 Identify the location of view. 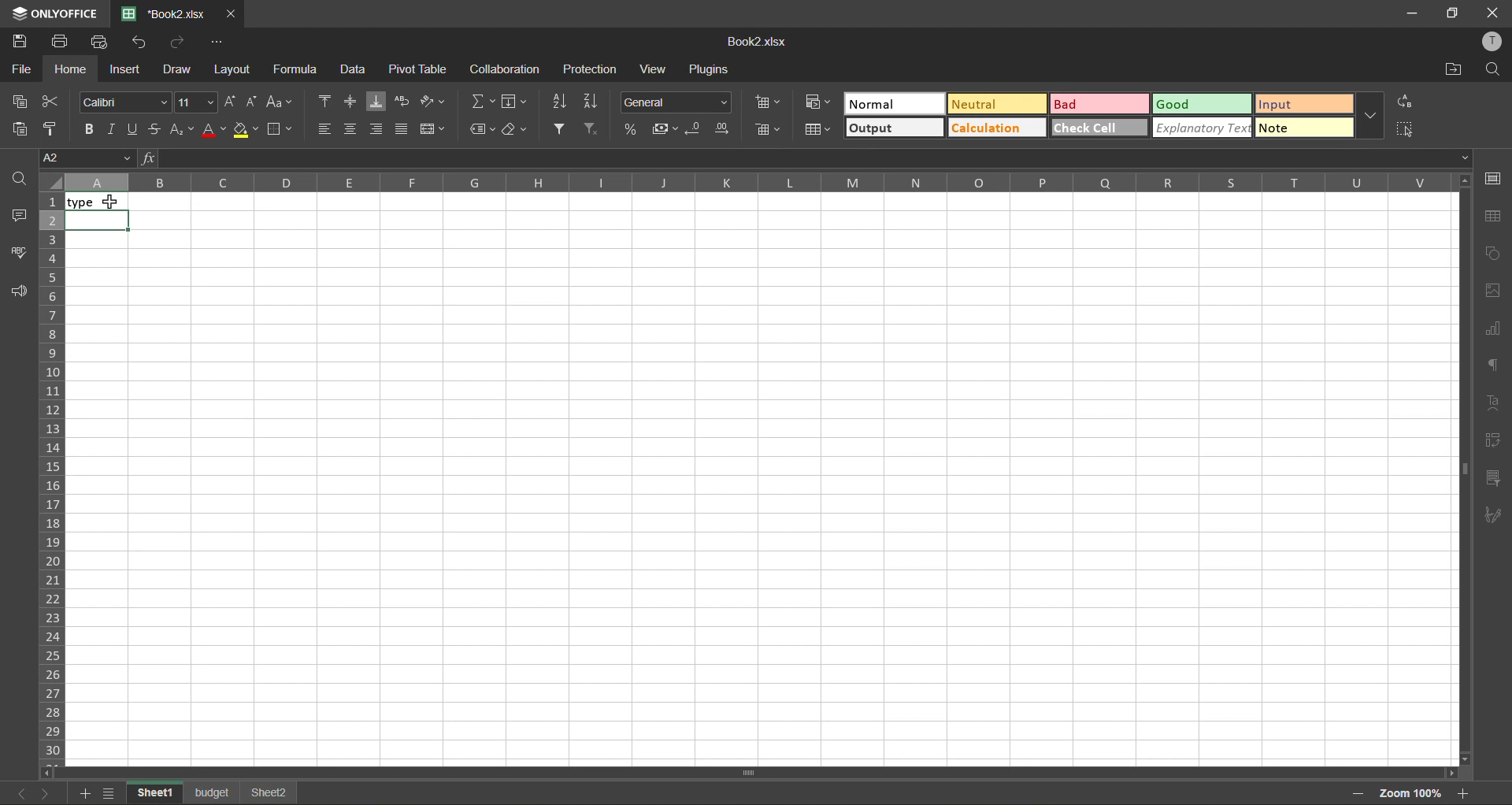
(652, 71).